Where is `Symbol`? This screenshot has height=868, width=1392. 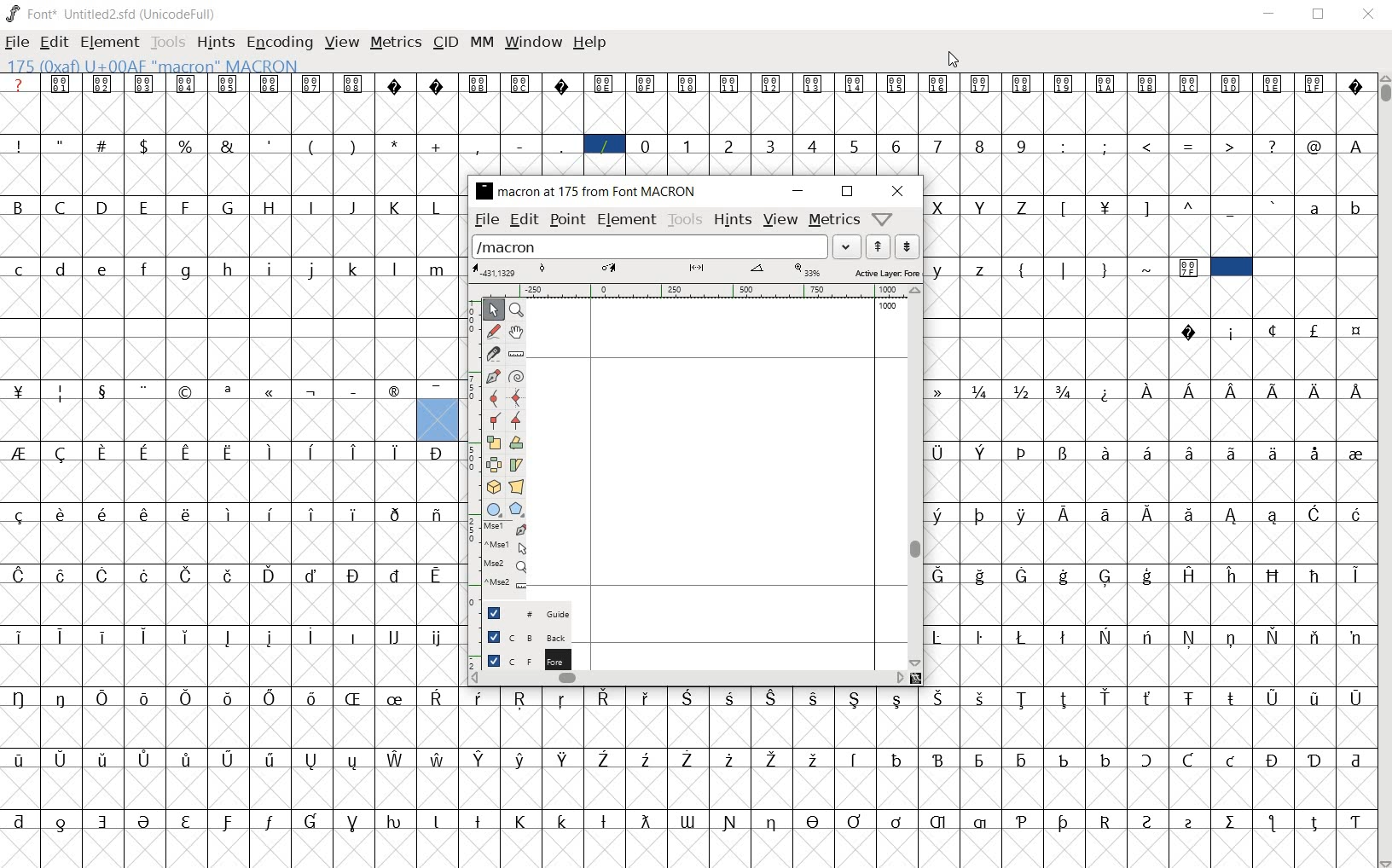
Symbol is located at coordinates (979, 823).